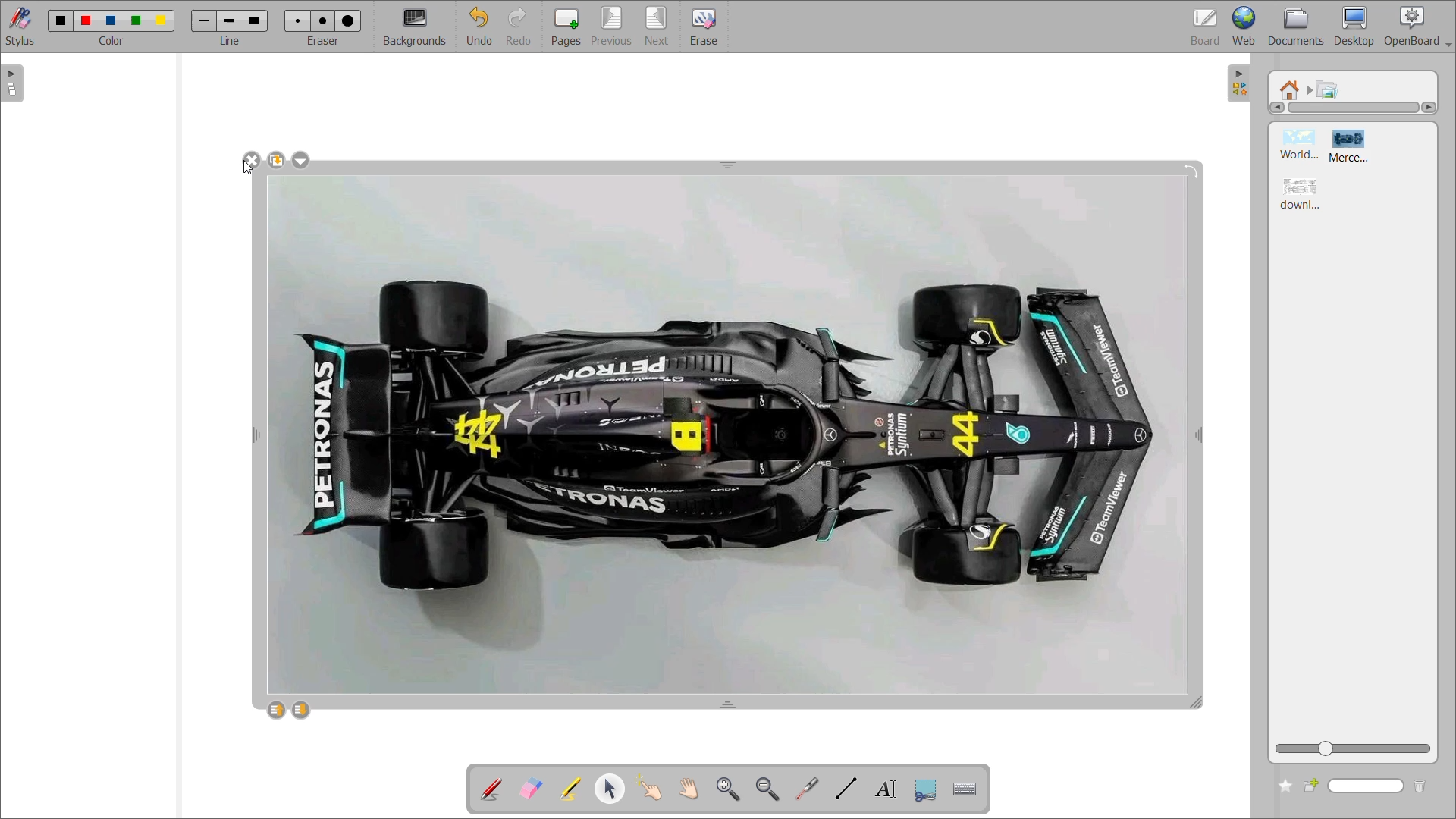 The width and height of the screenshot is (1456, 819). I want to click on undo, so click(481, 26).